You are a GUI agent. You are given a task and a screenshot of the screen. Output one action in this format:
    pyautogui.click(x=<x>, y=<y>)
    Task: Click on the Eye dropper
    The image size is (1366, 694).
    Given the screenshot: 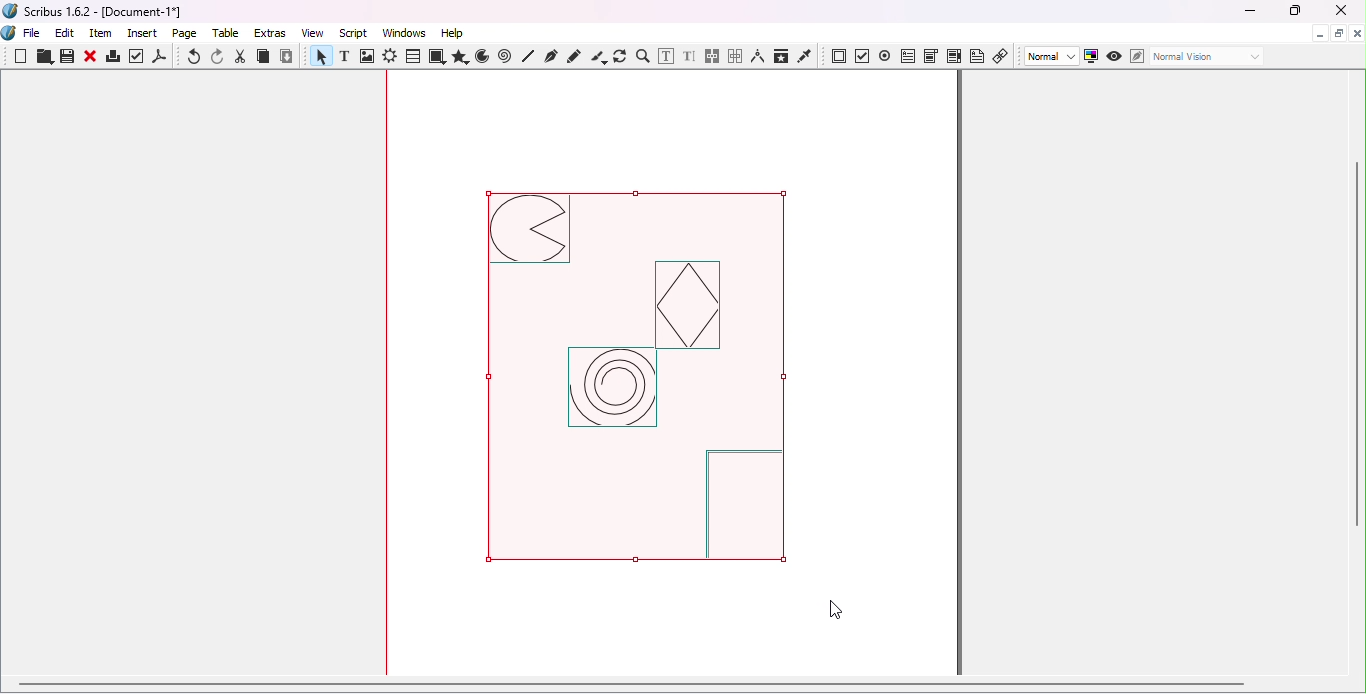 What is the action you would take?
    pyautogui.click(x=805, y=55)
    